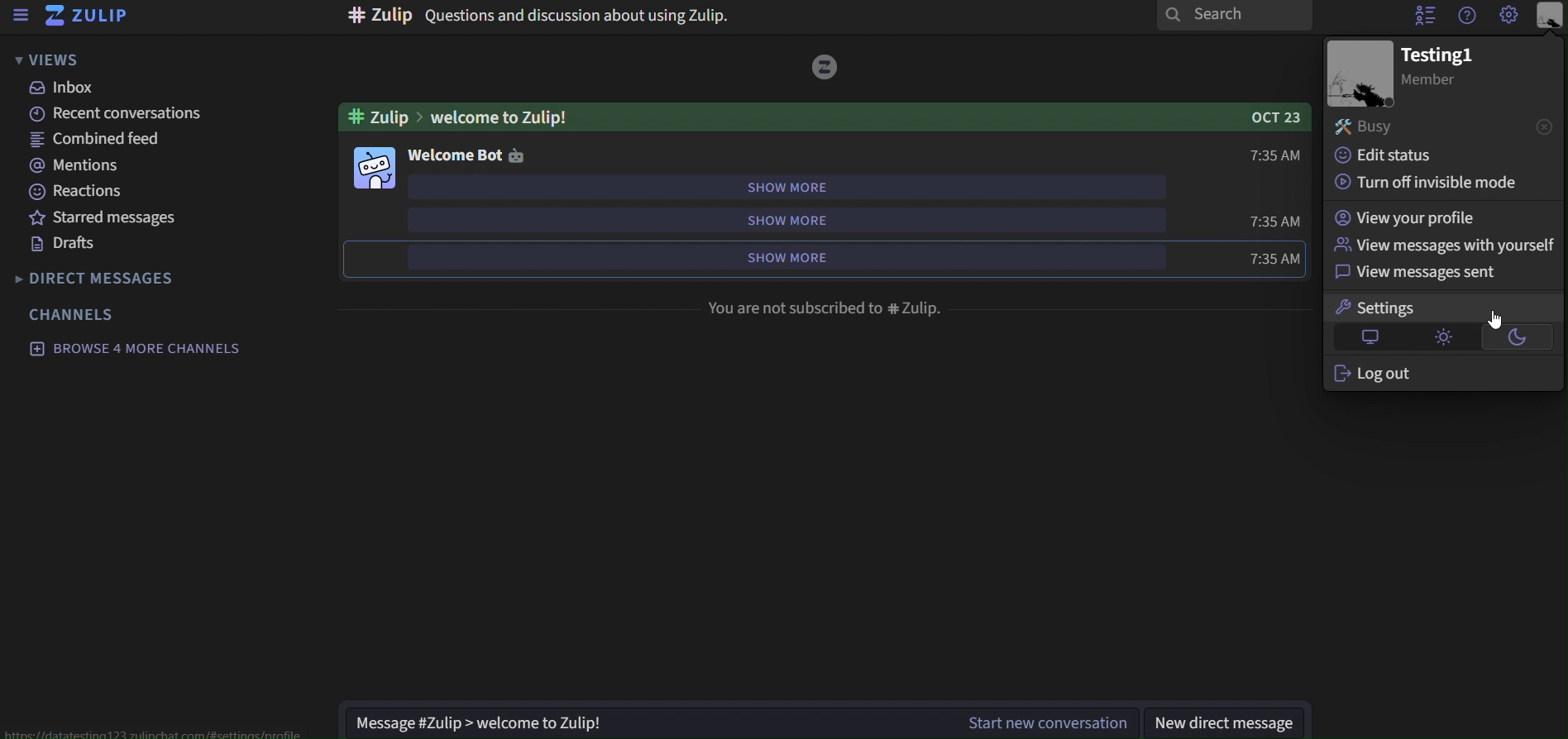 The width and height of the screenshot is (1568, 739). I want to click on turn off invisible mode, so click(1436, 181).